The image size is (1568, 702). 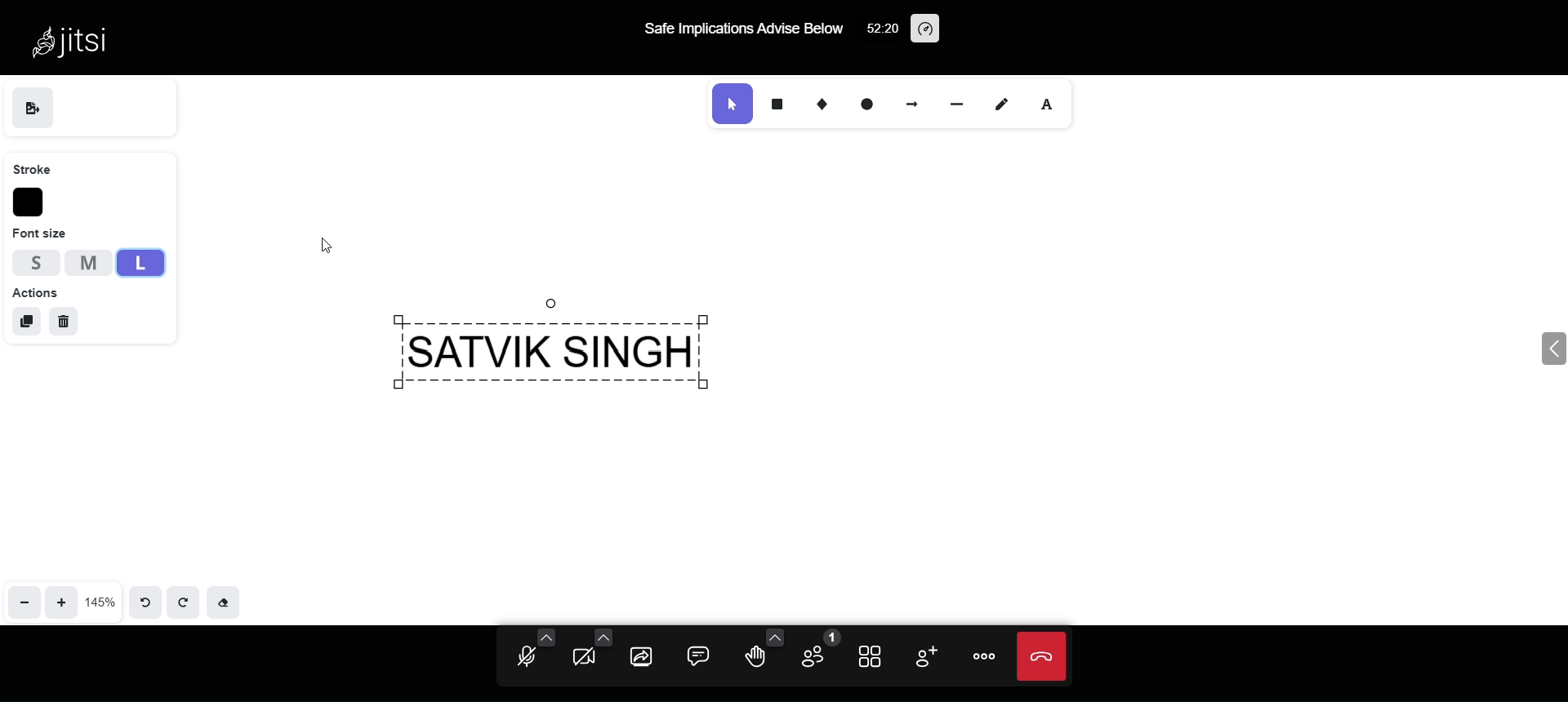 What do you see at coordinates (100, 601) in the screenshot?
I see `white board size` at bounding box center [100, 601].